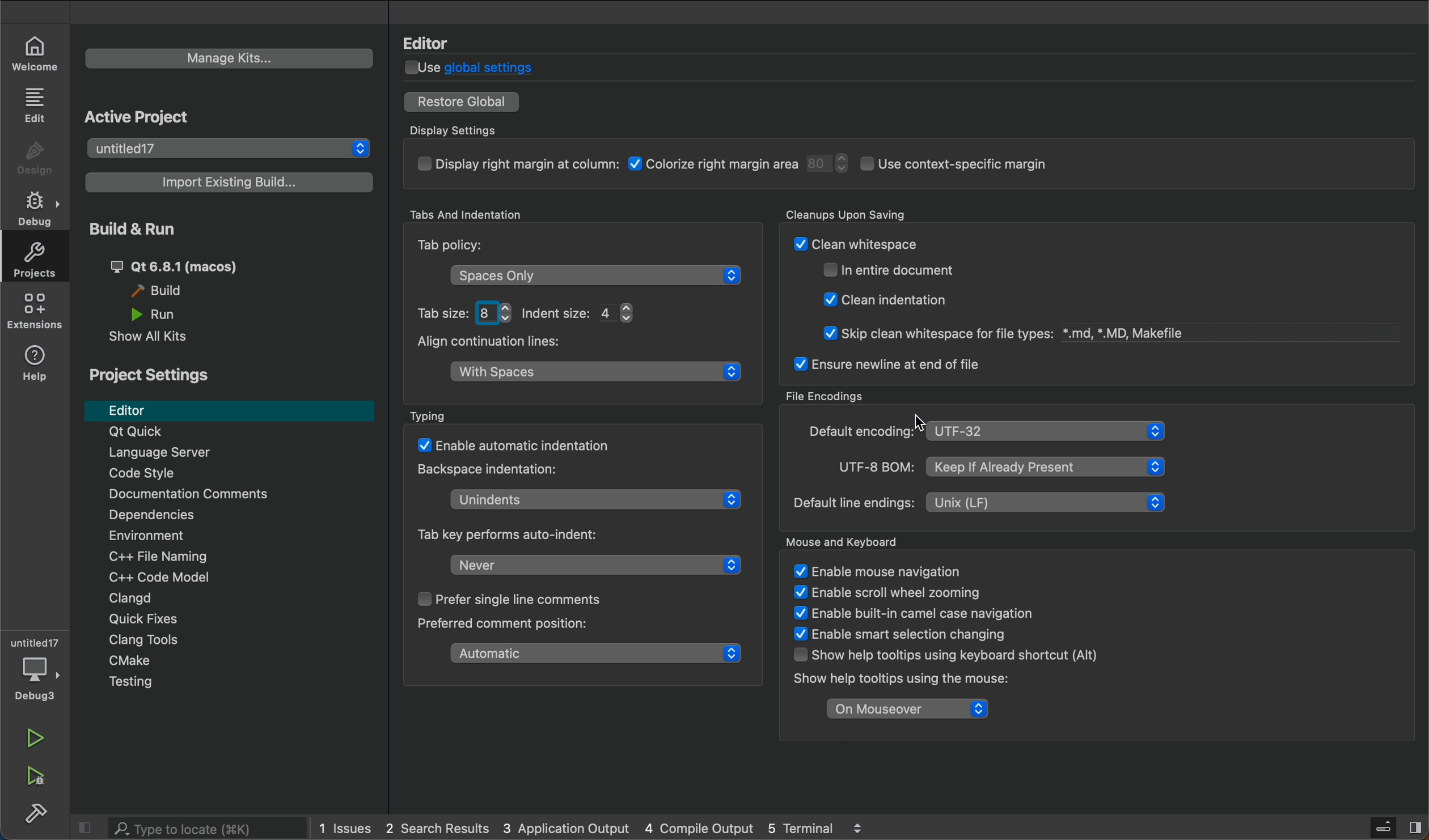  What do you see at coordinates (595, 565) in the screenshot?
I see `tab key auto indent` at bounding box center [595, 565].